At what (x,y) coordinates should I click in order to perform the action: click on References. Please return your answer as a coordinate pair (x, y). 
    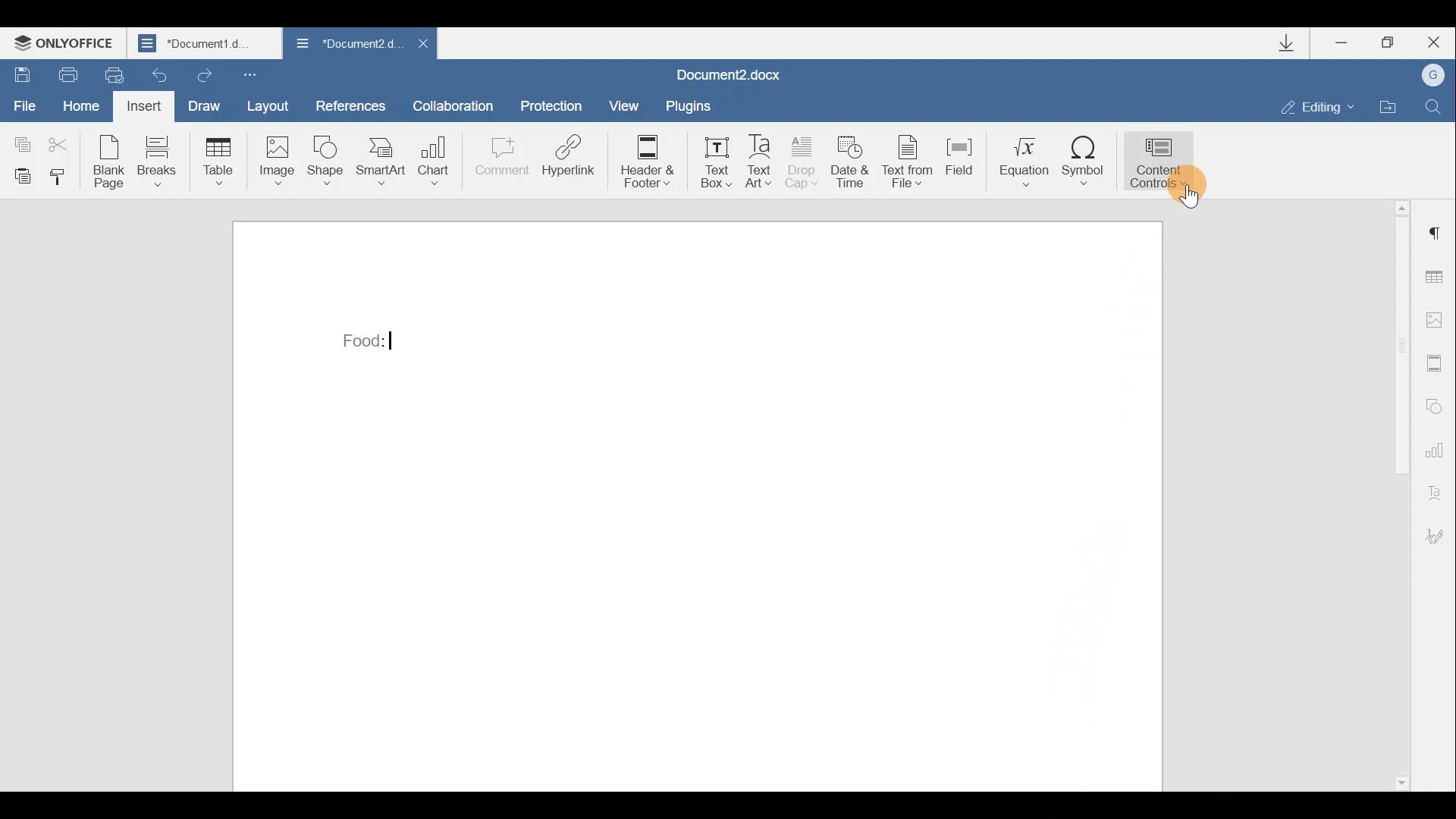
    Looking at the image, I should click on (350, 104).